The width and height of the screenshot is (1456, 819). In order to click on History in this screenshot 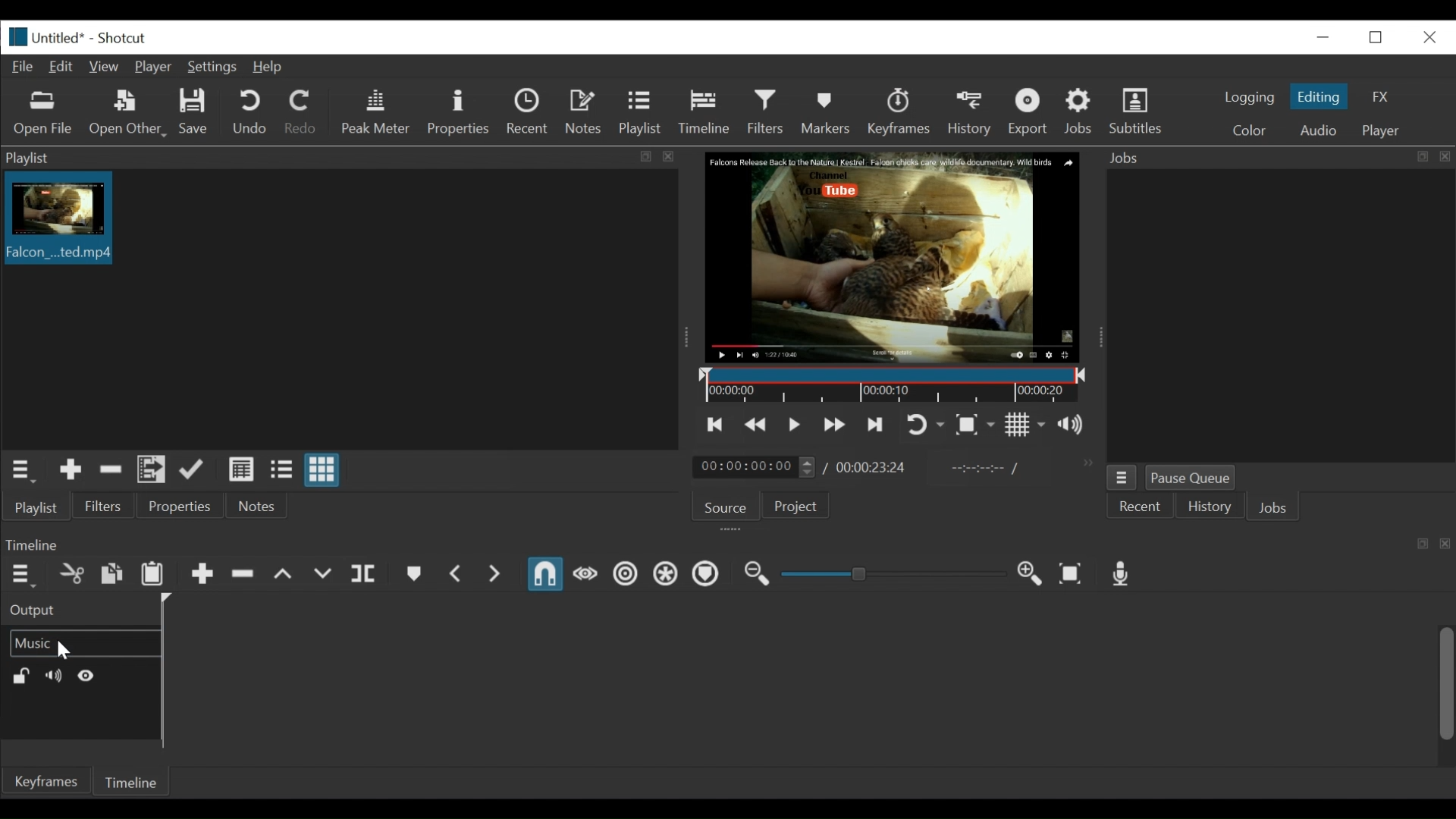, I will do `click(1208, 507)`.